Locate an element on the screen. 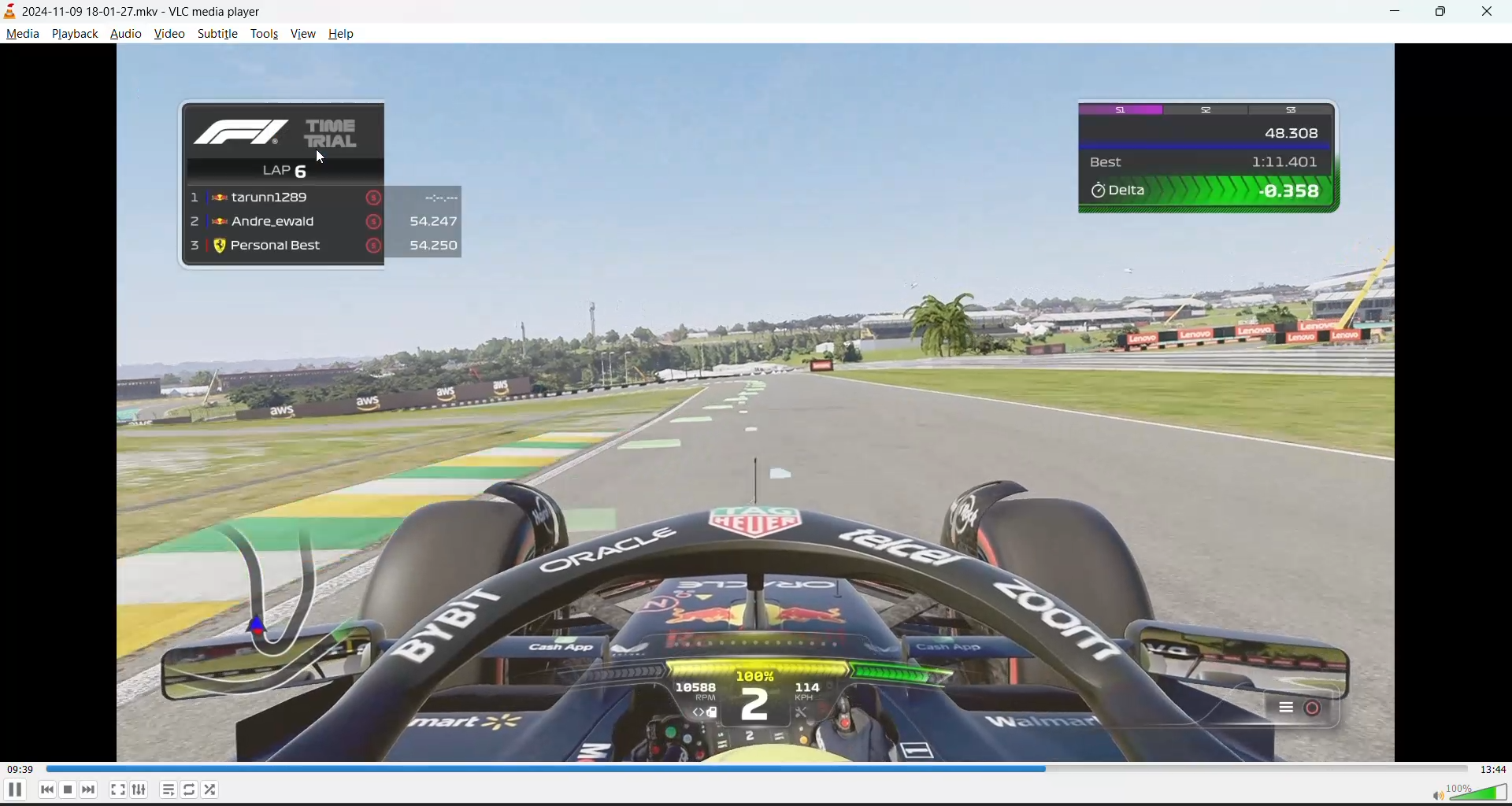  minimize is located at coordinates (1402, 12).